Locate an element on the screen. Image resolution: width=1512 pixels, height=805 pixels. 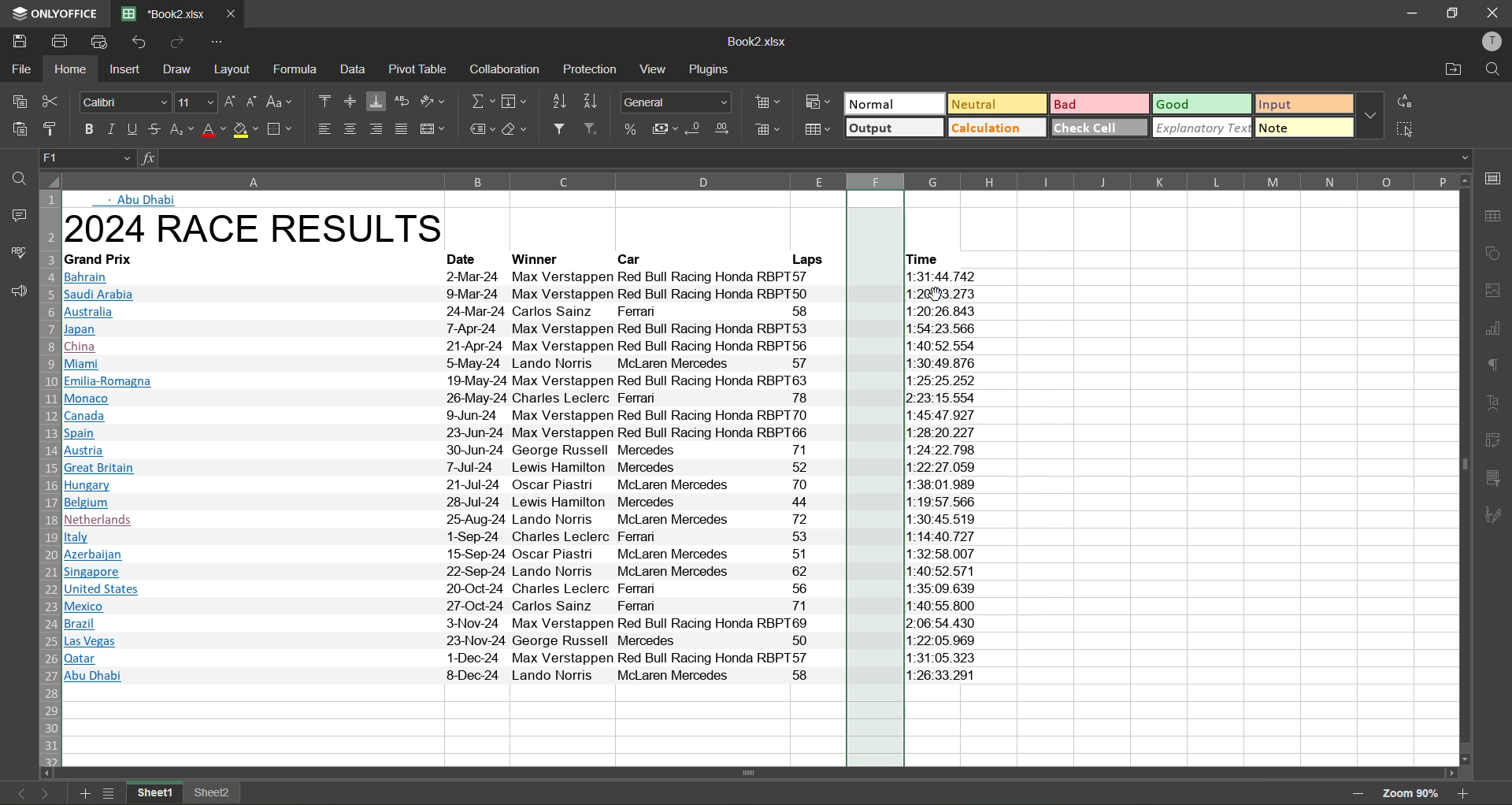
save is located at coordinates (18, 42).